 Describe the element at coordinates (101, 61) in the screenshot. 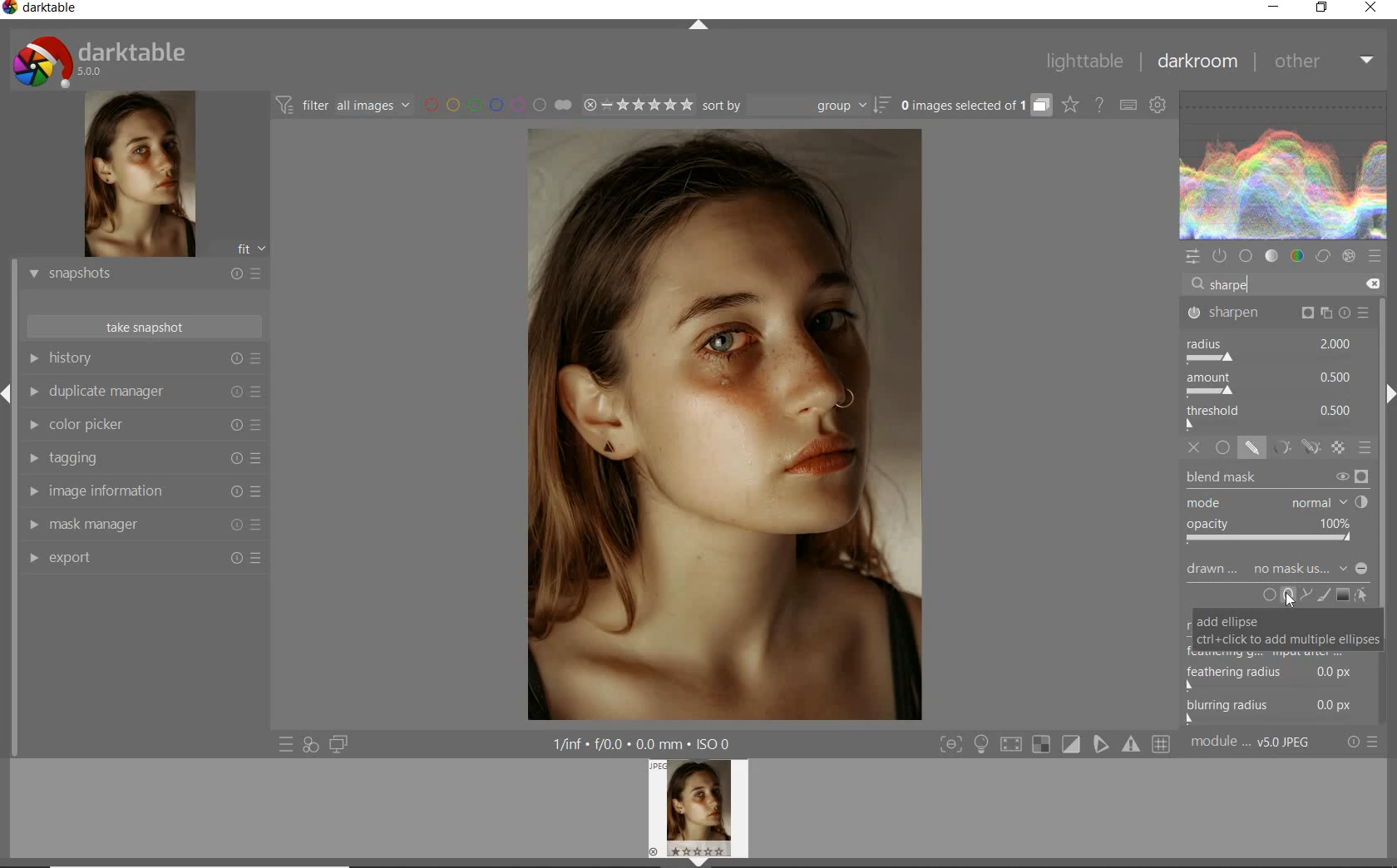

I see `system logo` at that location.